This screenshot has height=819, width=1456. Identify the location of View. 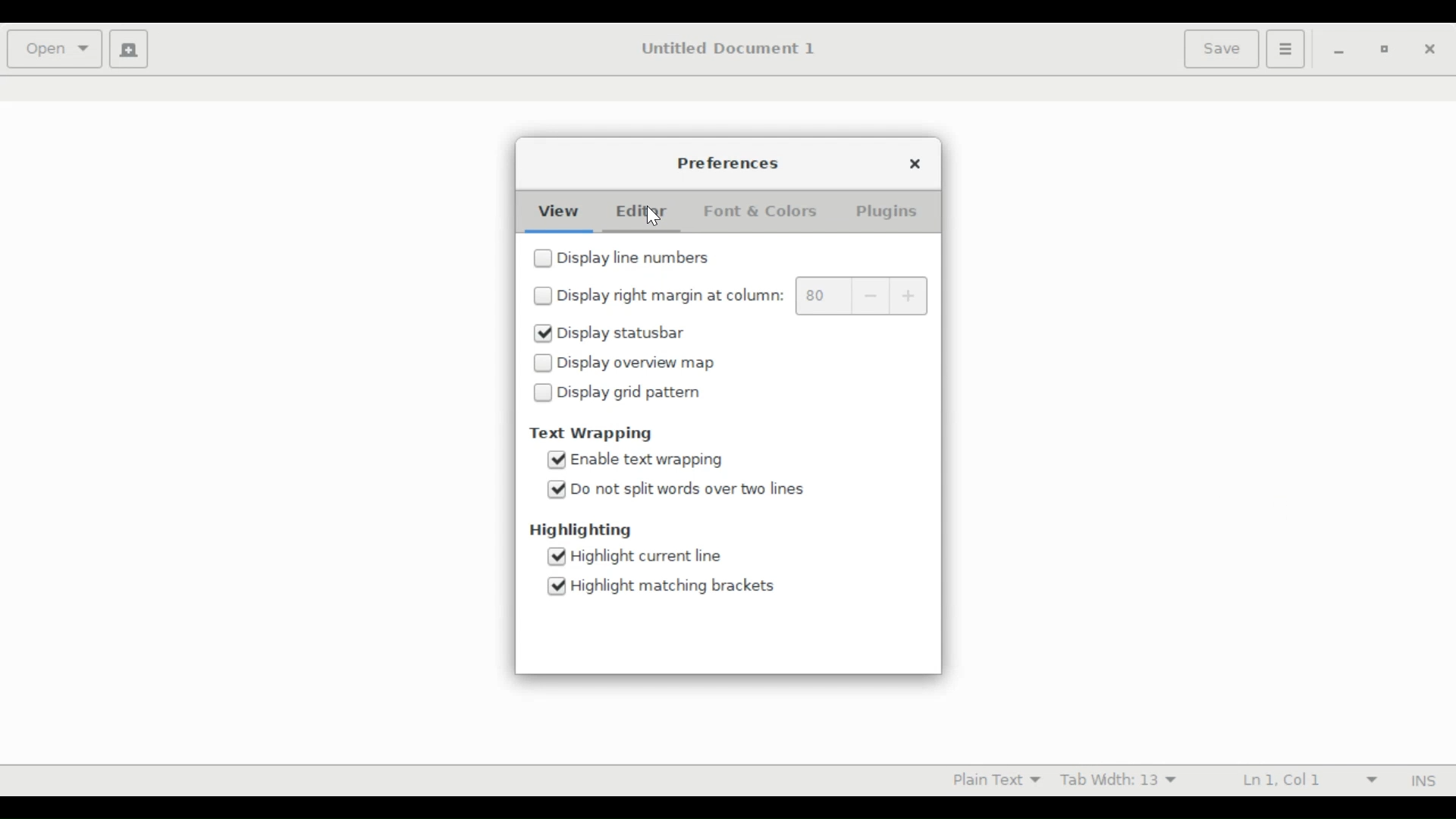
(556, 212).